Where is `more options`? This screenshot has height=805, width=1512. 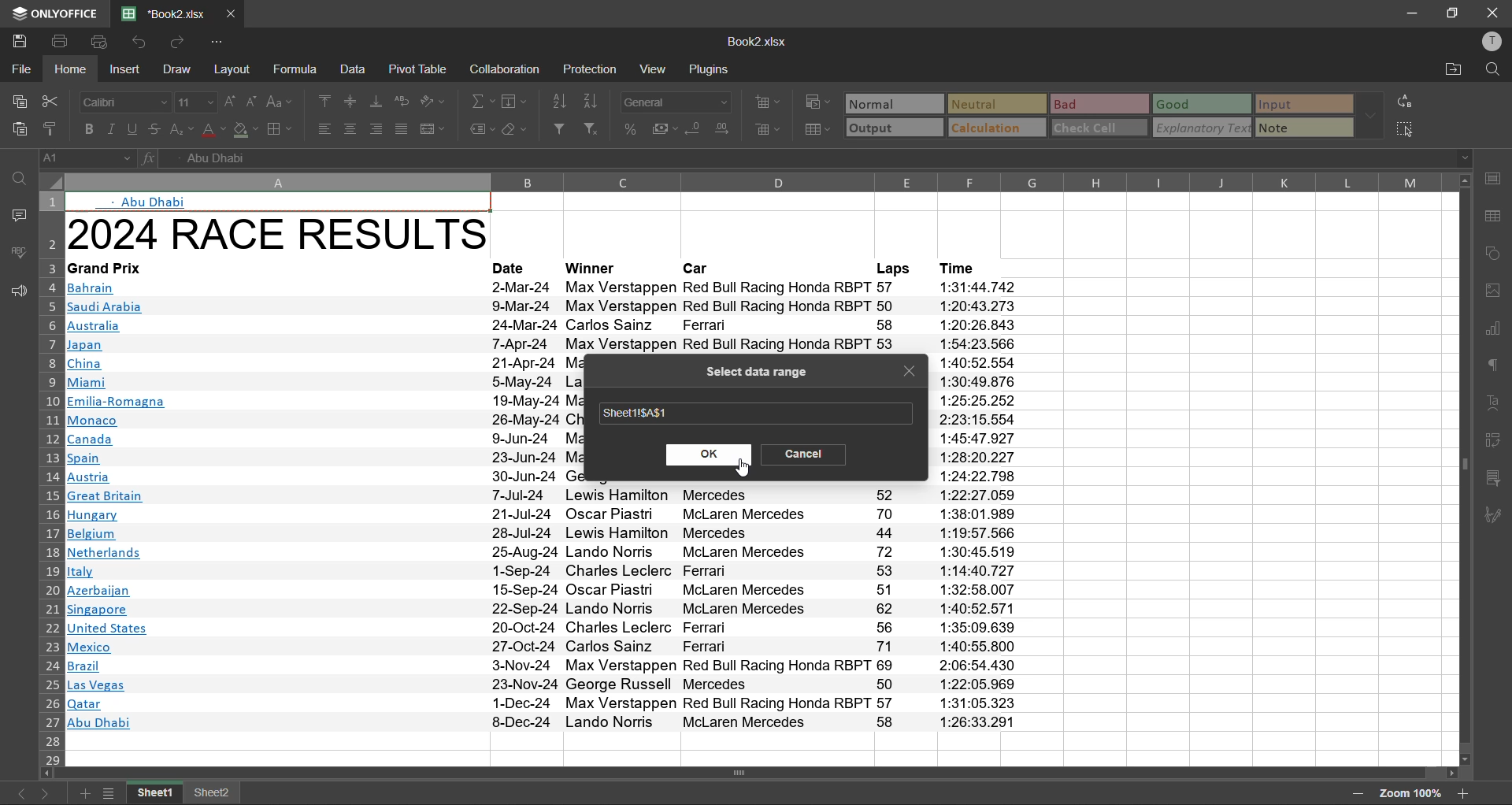
more options is located at coordinates (1369, 115).